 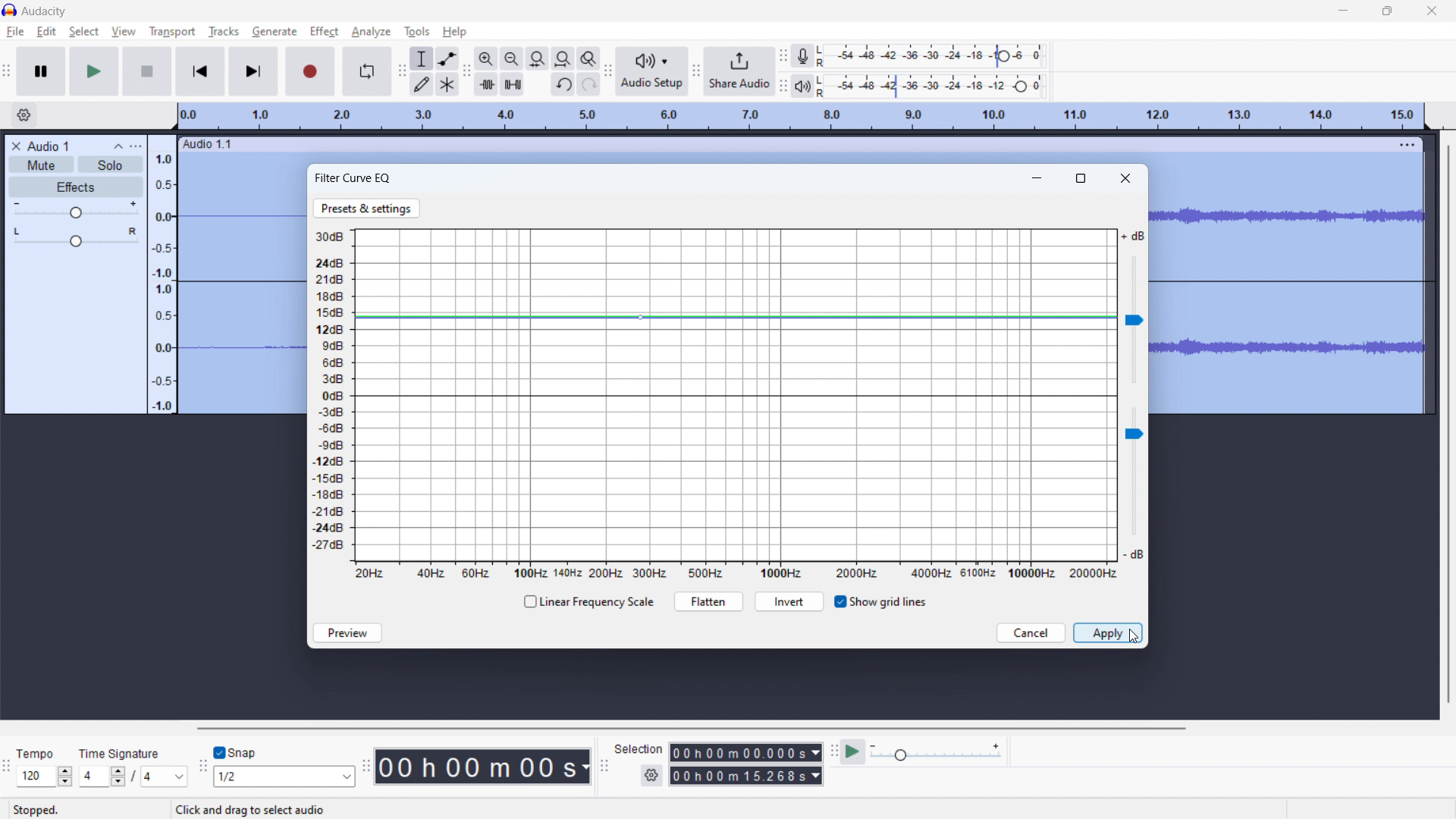 What do you see at coordinates (15, 146) in the screenshot?
I see `delete audio` at bounding box center [15, 146].